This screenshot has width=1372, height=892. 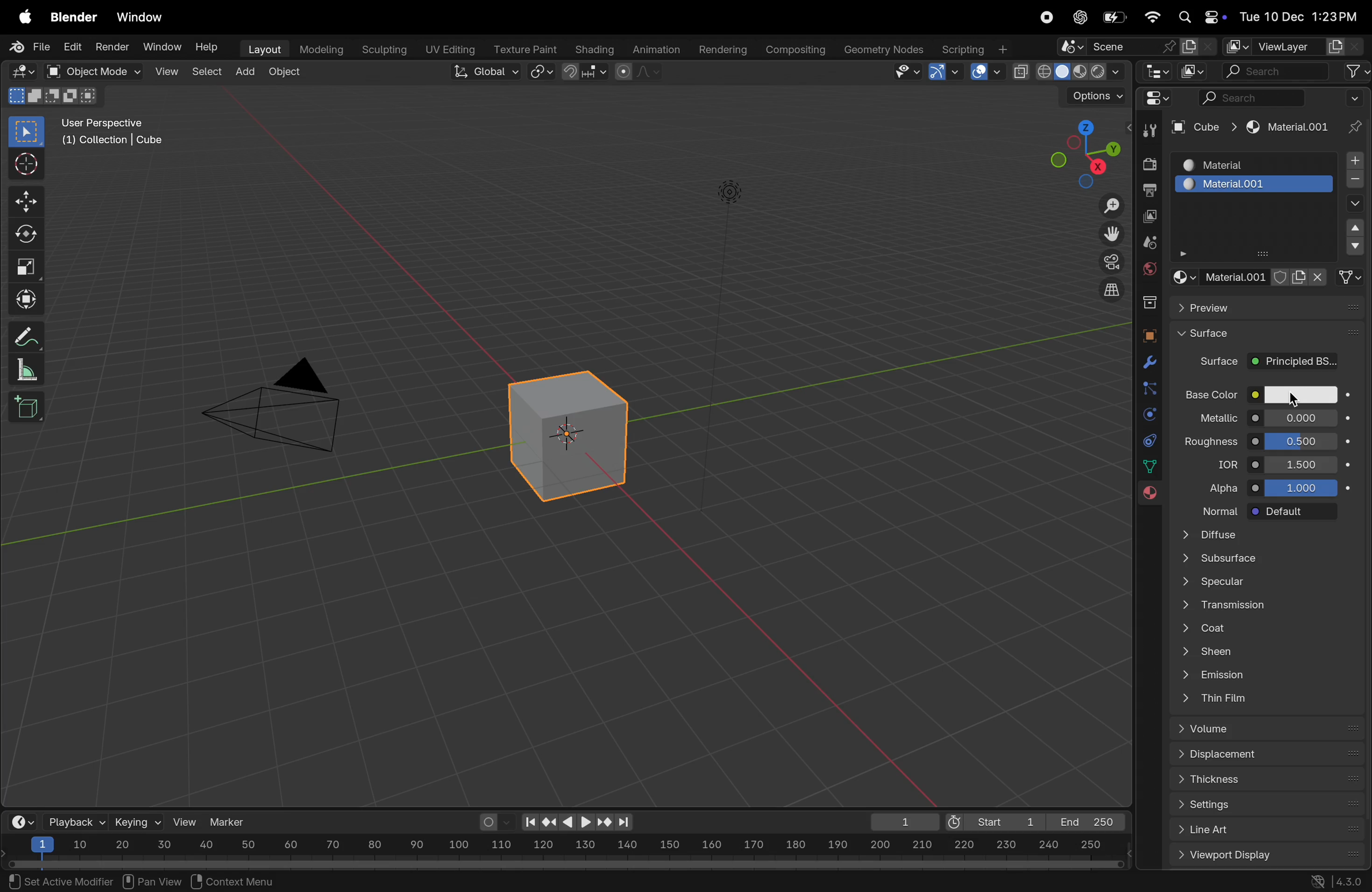 What do you see at coordinates (1113, 289) in the screenshot?
I see `orthographic view` at bounding box center [1113, 289].